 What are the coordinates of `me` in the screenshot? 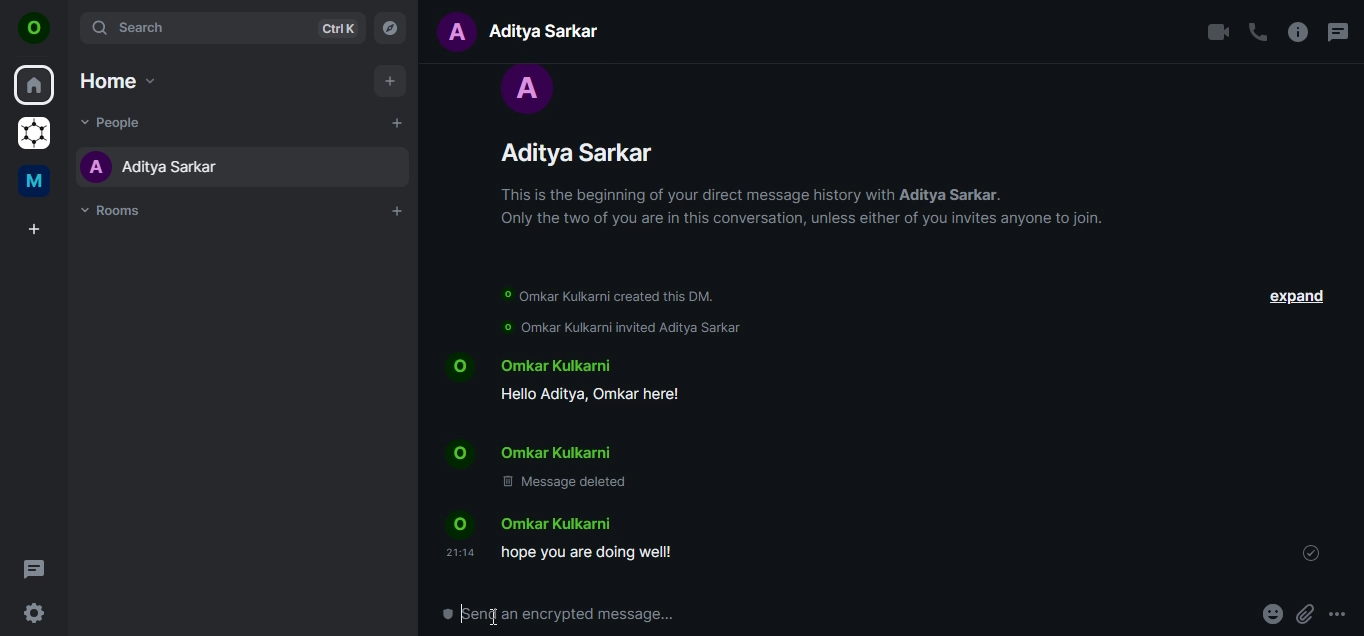 It's located at (33, 181).